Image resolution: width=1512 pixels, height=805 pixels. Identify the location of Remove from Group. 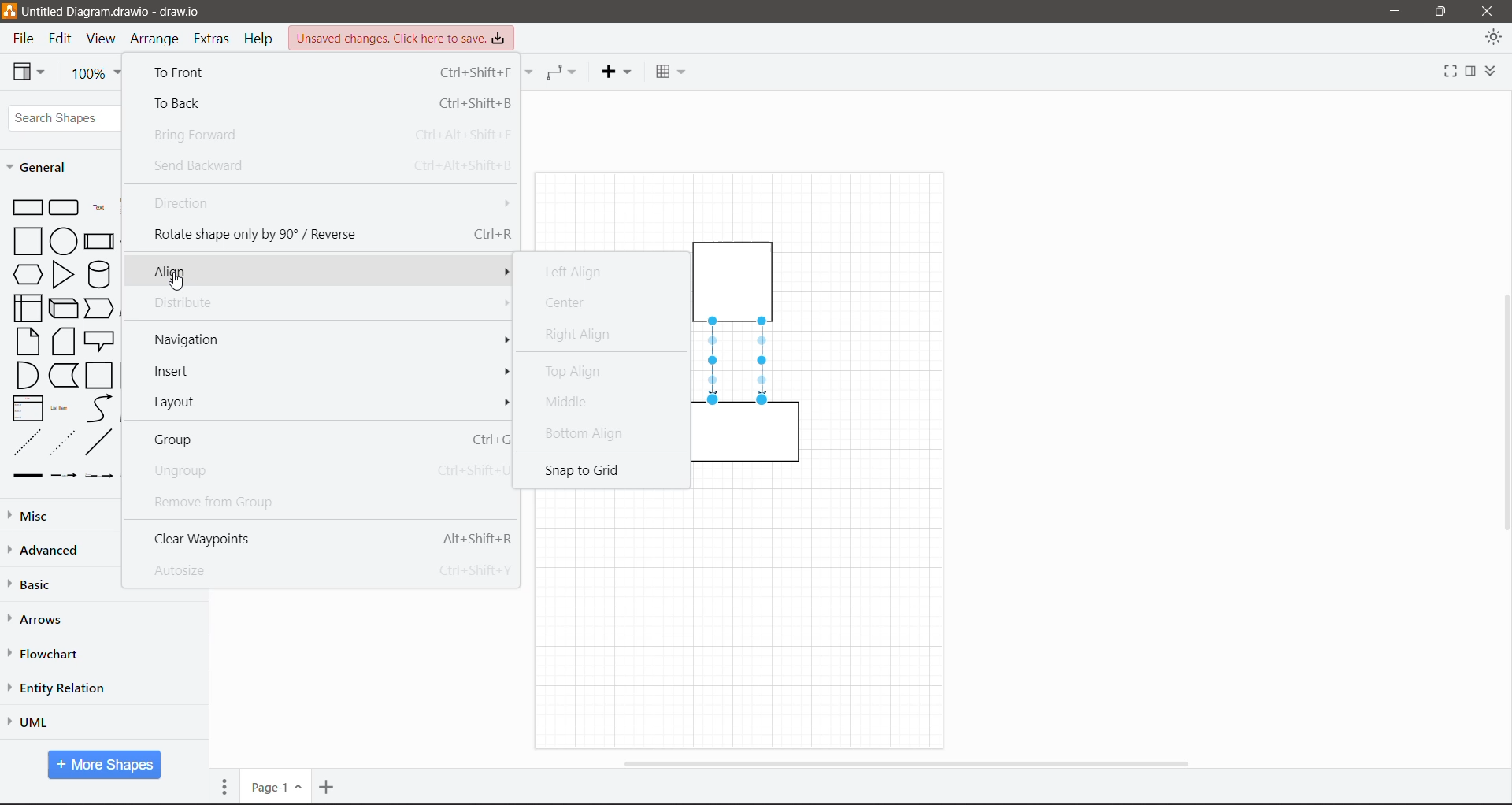
(263, 501).